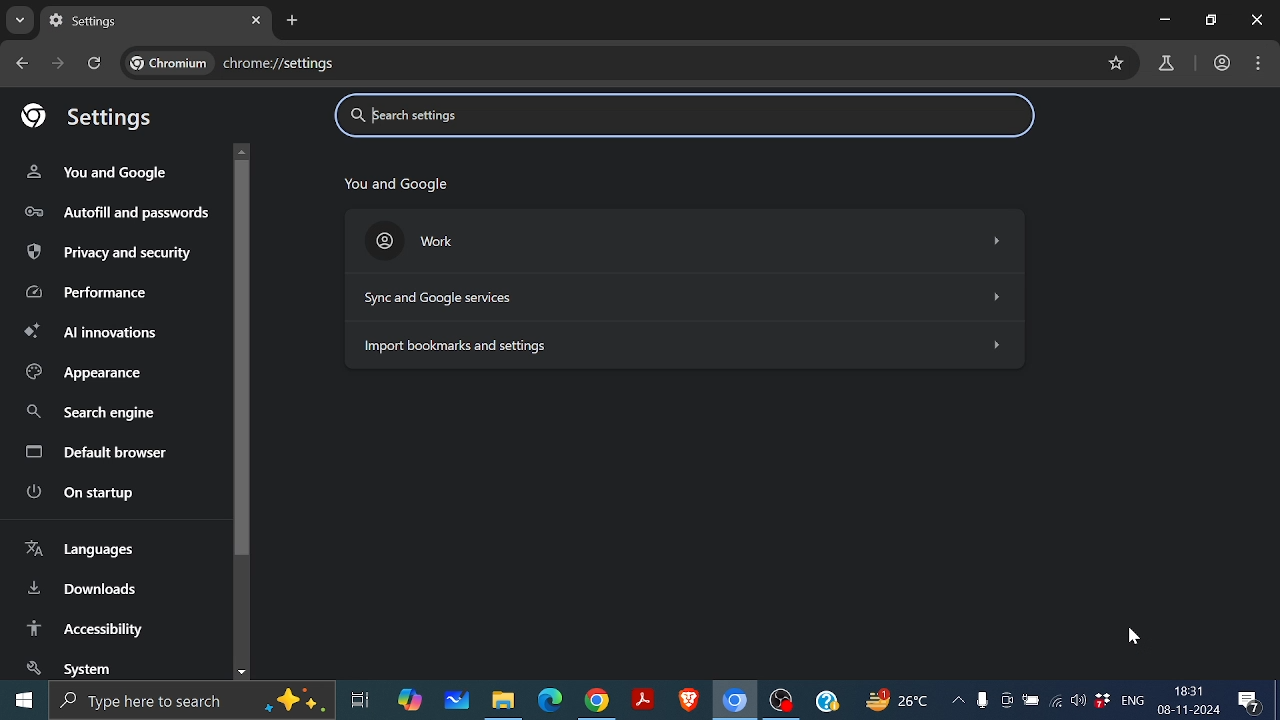 The image size is (1280, 720). I want to click on file explorer, so click(502, 701).